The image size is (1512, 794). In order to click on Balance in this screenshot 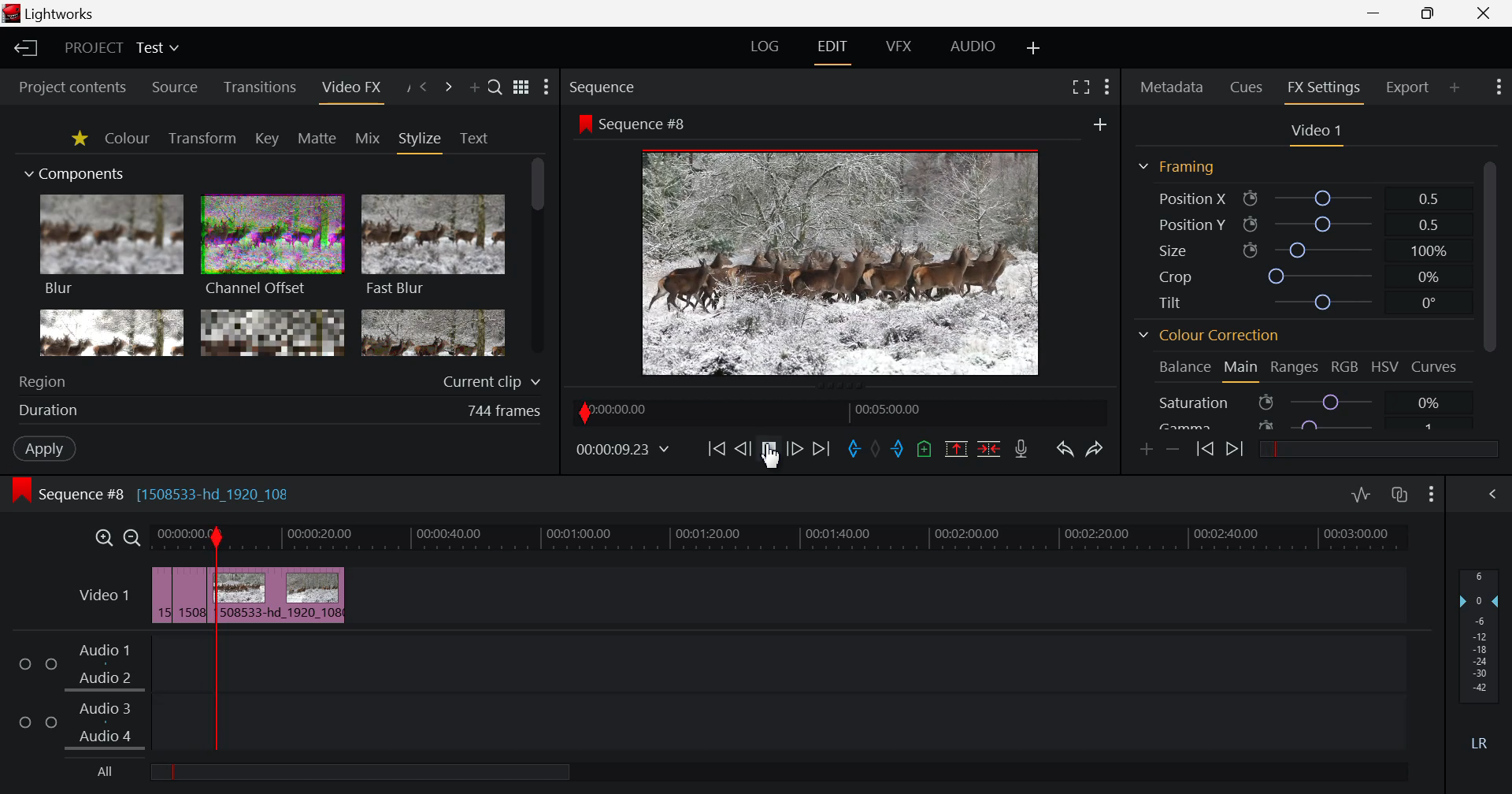, I will do `click(1183, 369)`.